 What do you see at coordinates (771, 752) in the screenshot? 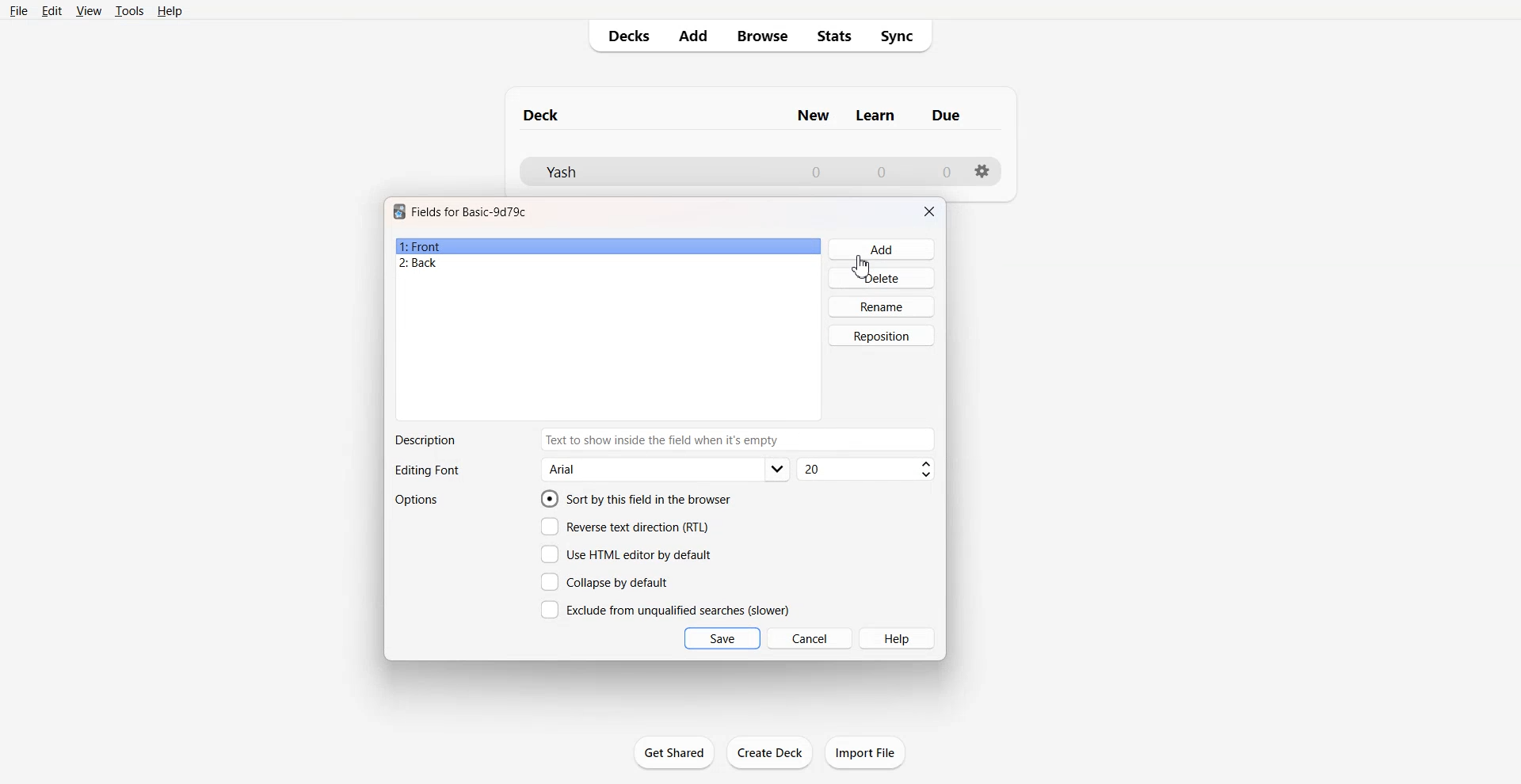
I see `Create Deck` at bounding box center [771, 752].